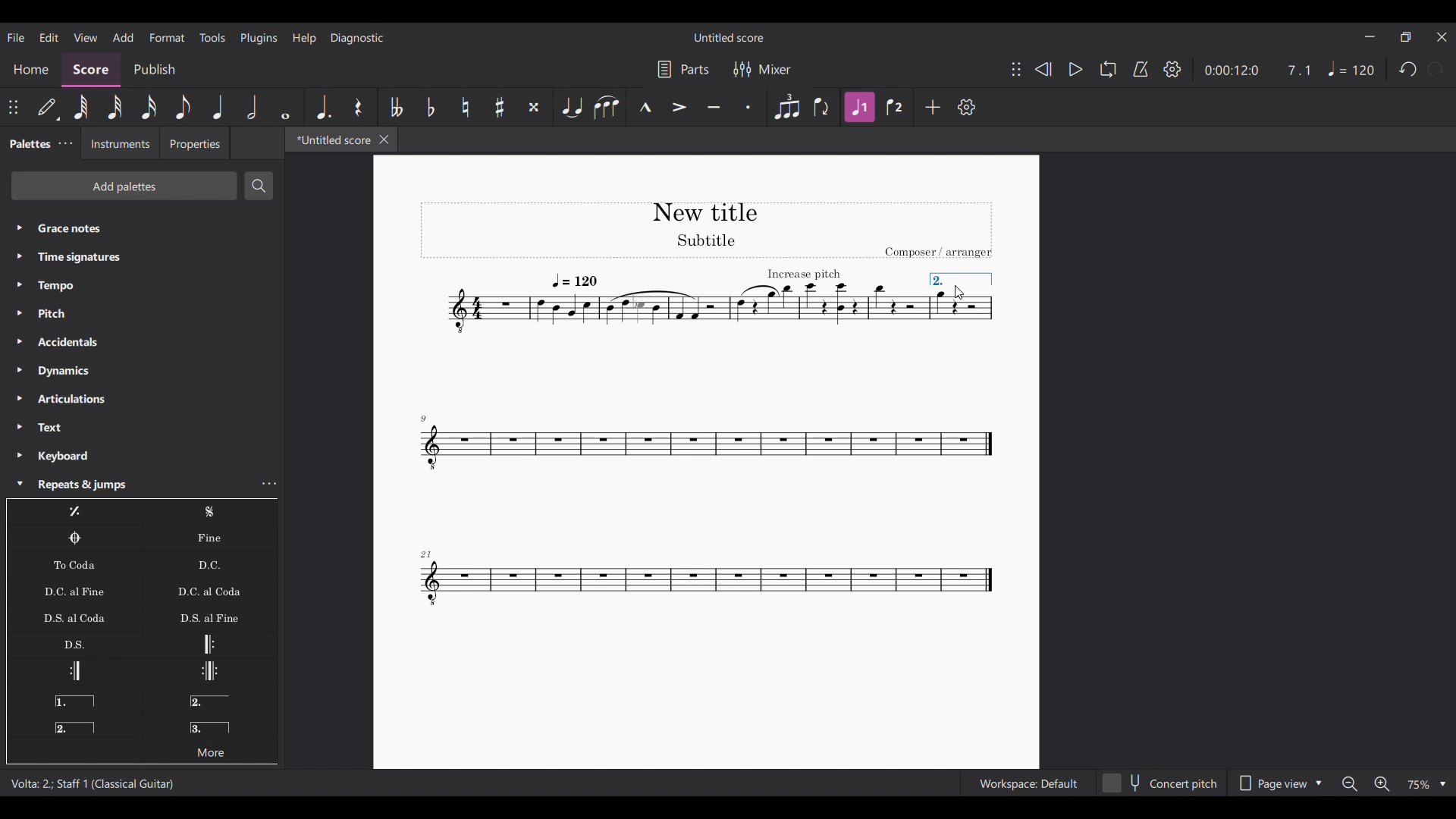 This screenshot has width=1456, height=819. Describe the element at coordinates (1161, 783) in the screenshot. I see `Concert pitch toggle` at that location.